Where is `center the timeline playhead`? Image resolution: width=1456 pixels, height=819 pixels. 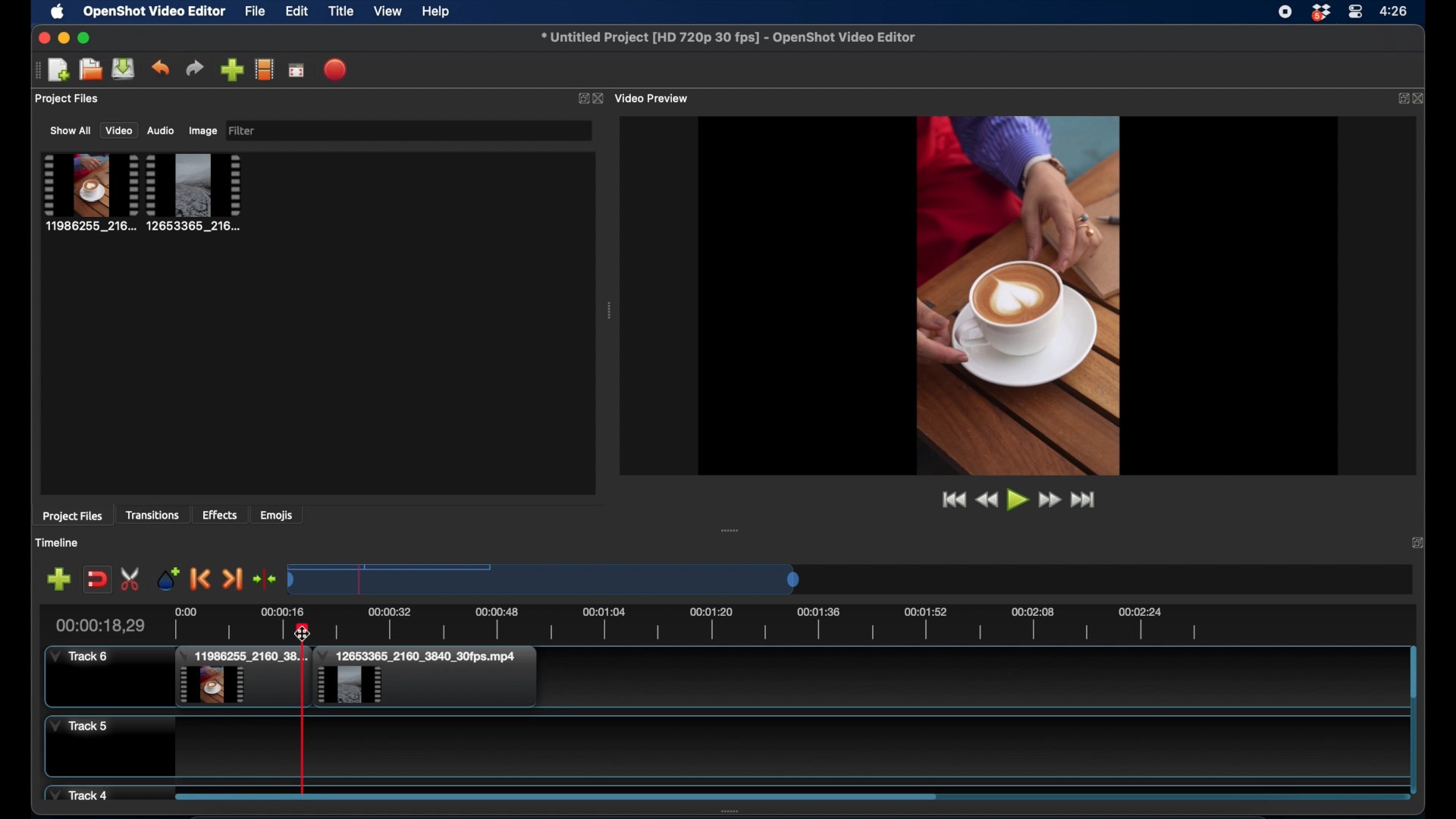 center the timeline playhead is located at coordinates (265, 580).